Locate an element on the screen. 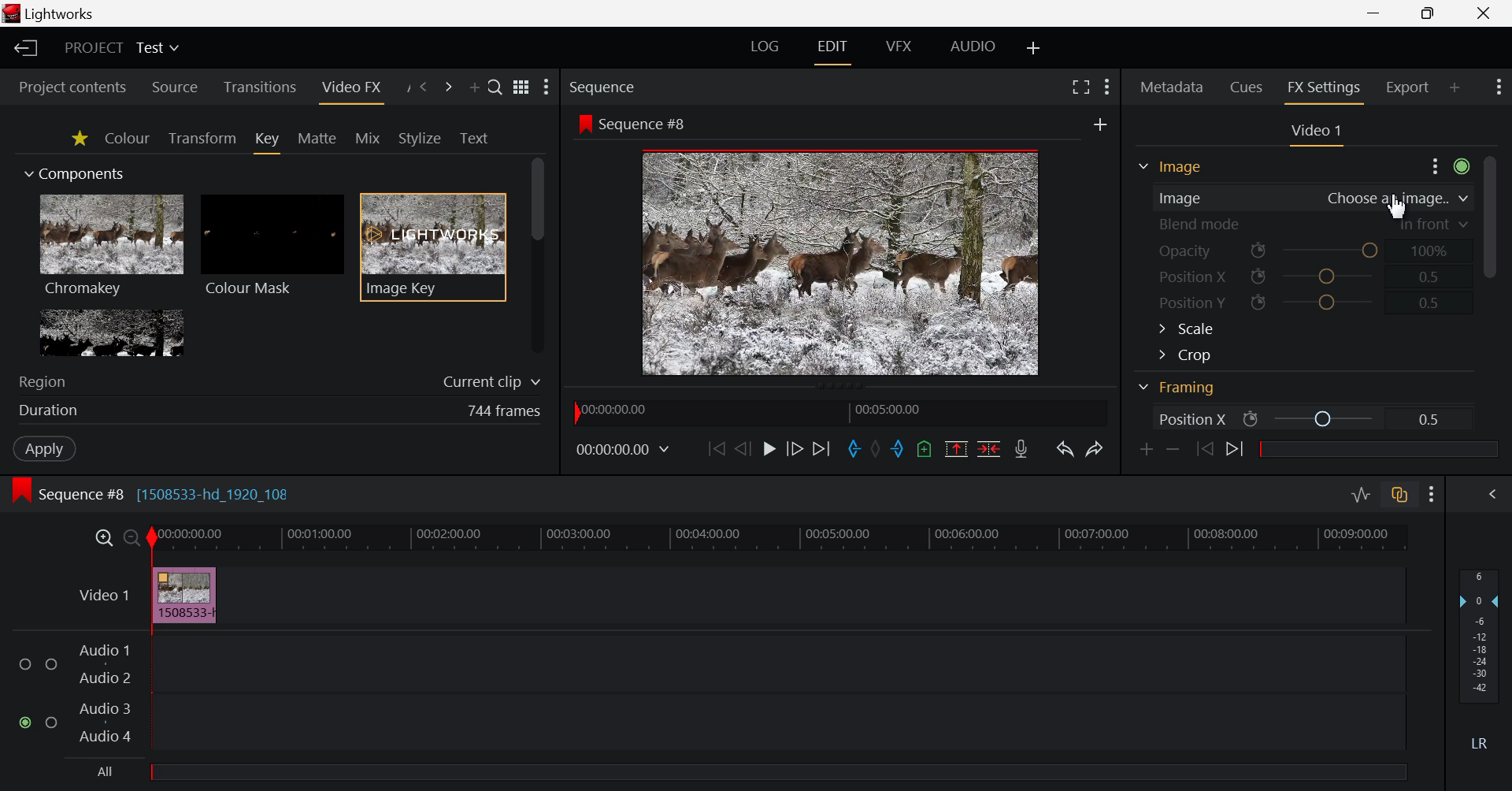 This screenshot has width=1512, height=791. in front is located at coordinates (1434, 223).